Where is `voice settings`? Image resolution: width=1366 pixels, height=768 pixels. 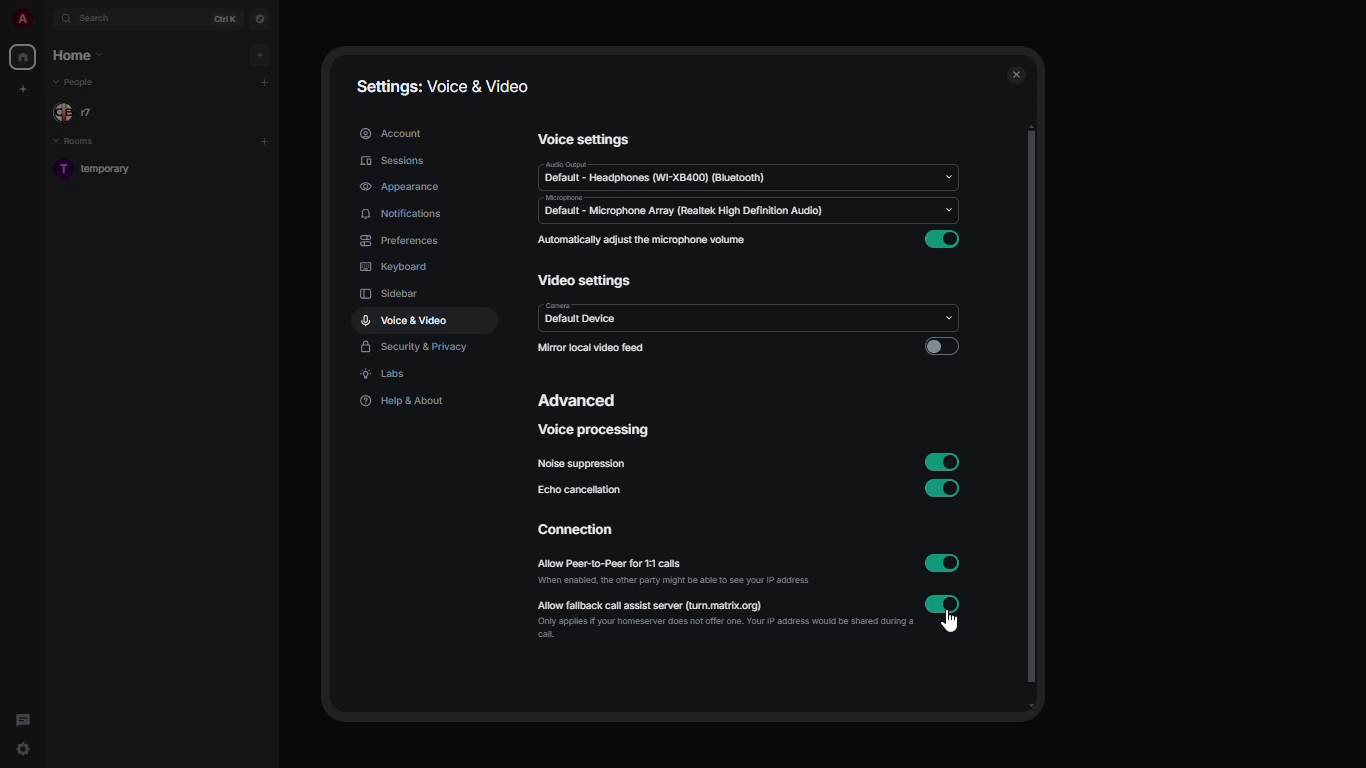
voice settings is located at coordinates (583, 138).